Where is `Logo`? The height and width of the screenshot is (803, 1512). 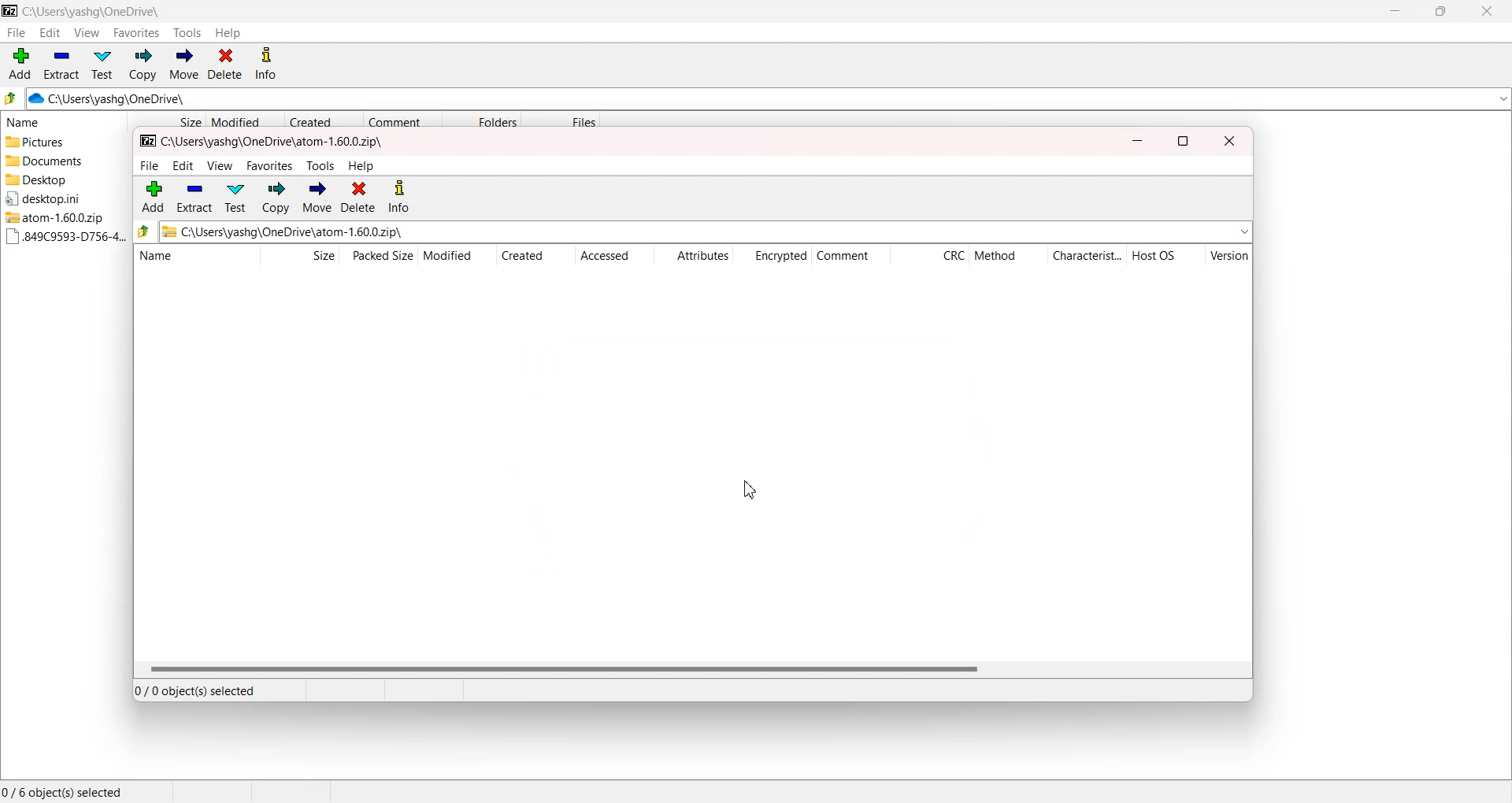 Logo is located at coordinates (10, 10).